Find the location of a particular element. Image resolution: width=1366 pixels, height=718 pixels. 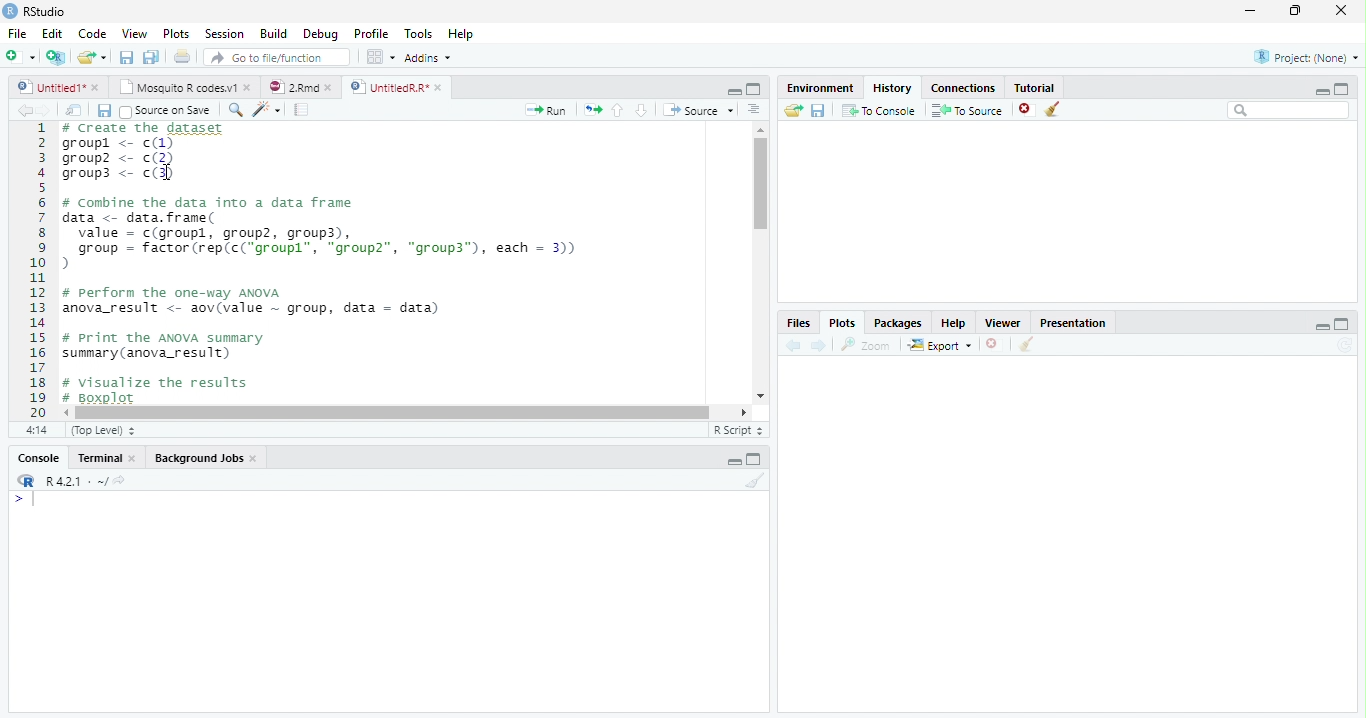

Show in new window is located at coordinates (77, 110).